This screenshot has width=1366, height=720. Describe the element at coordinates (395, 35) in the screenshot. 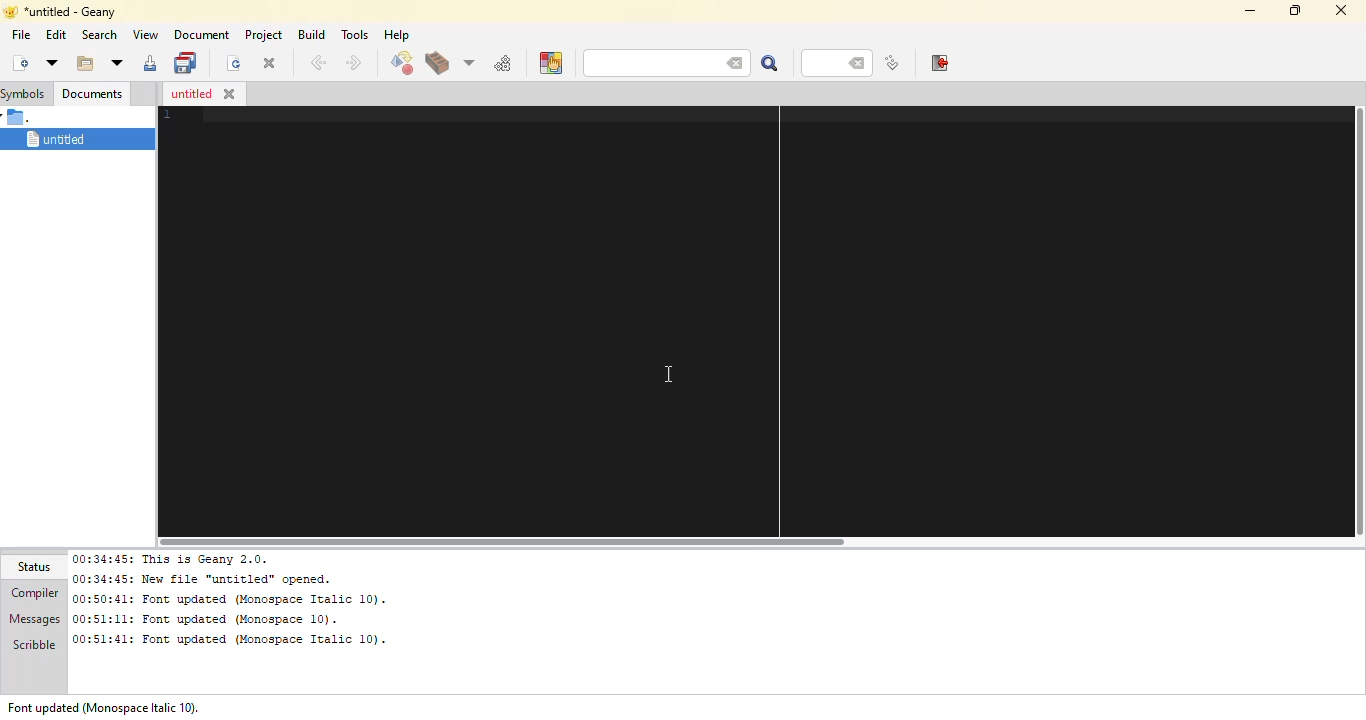

I see `help` at that location.